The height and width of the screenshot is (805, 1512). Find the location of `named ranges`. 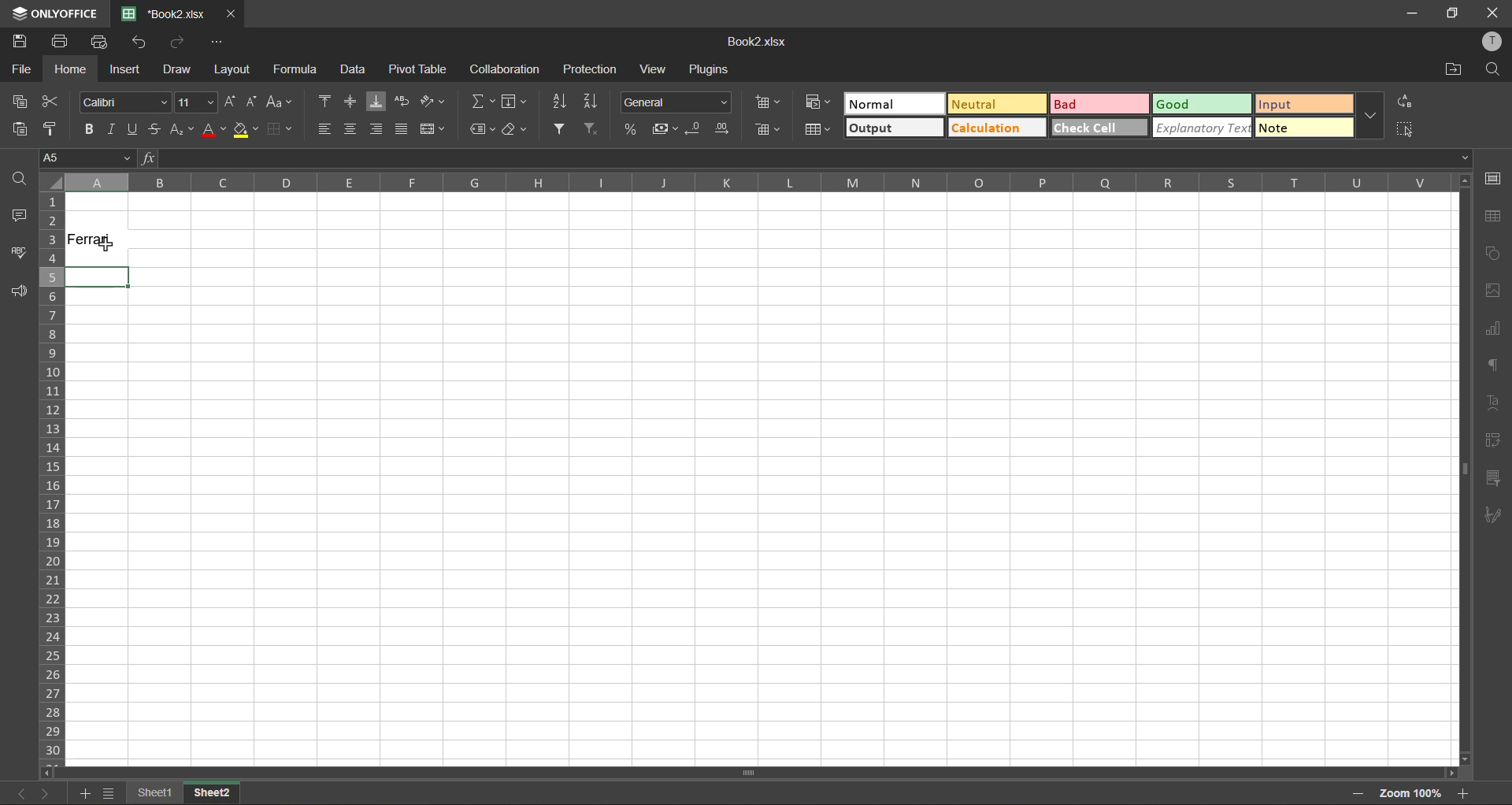

named ranges is located at coordinates (484, 129).